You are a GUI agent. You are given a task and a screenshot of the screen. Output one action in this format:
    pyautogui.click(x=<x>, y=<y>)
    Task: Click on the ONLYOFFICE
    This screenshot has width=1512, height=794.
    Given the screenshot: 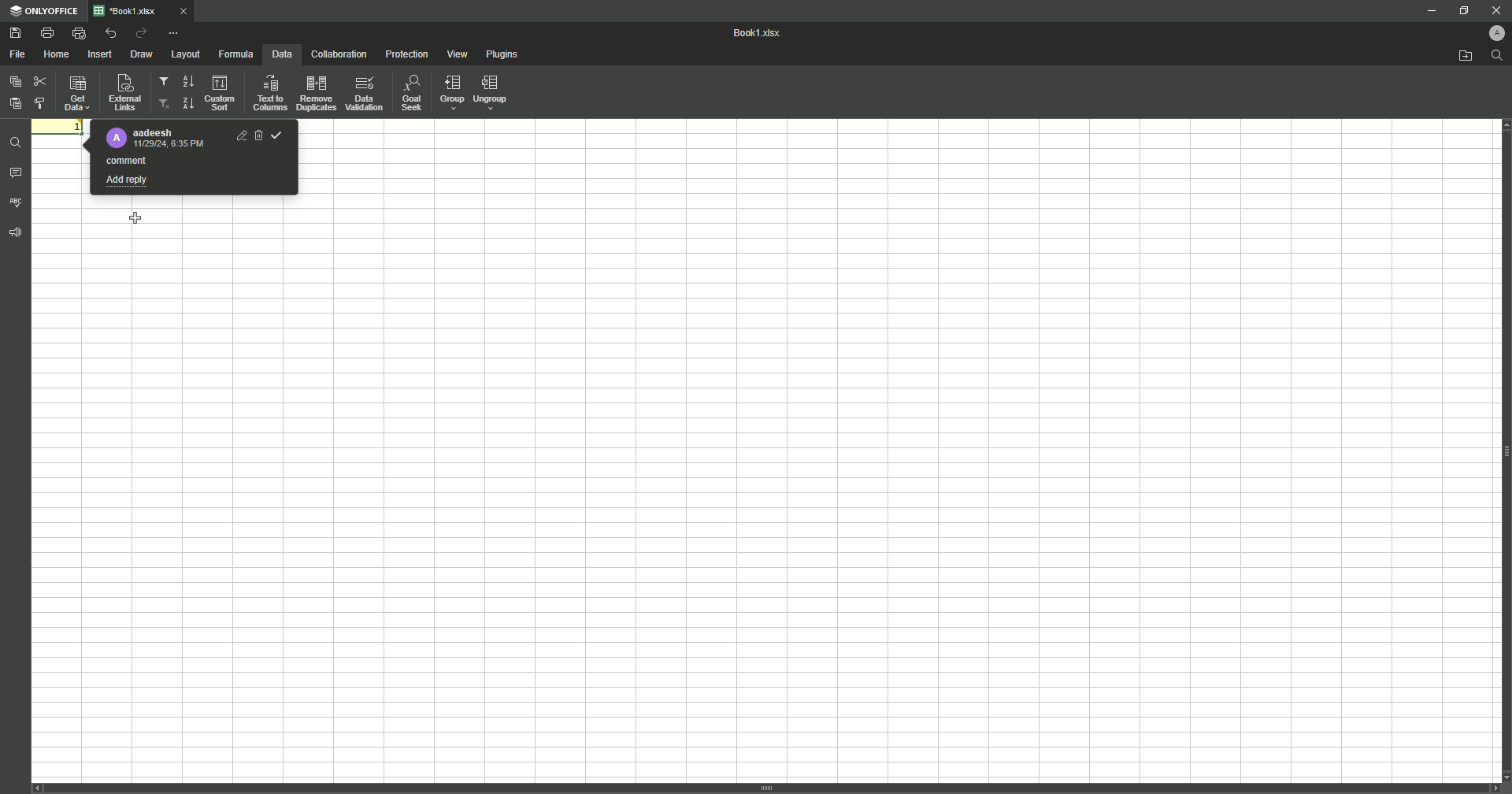 What is the action you would take?
    pyautogui.click(x=45, y=11)
    